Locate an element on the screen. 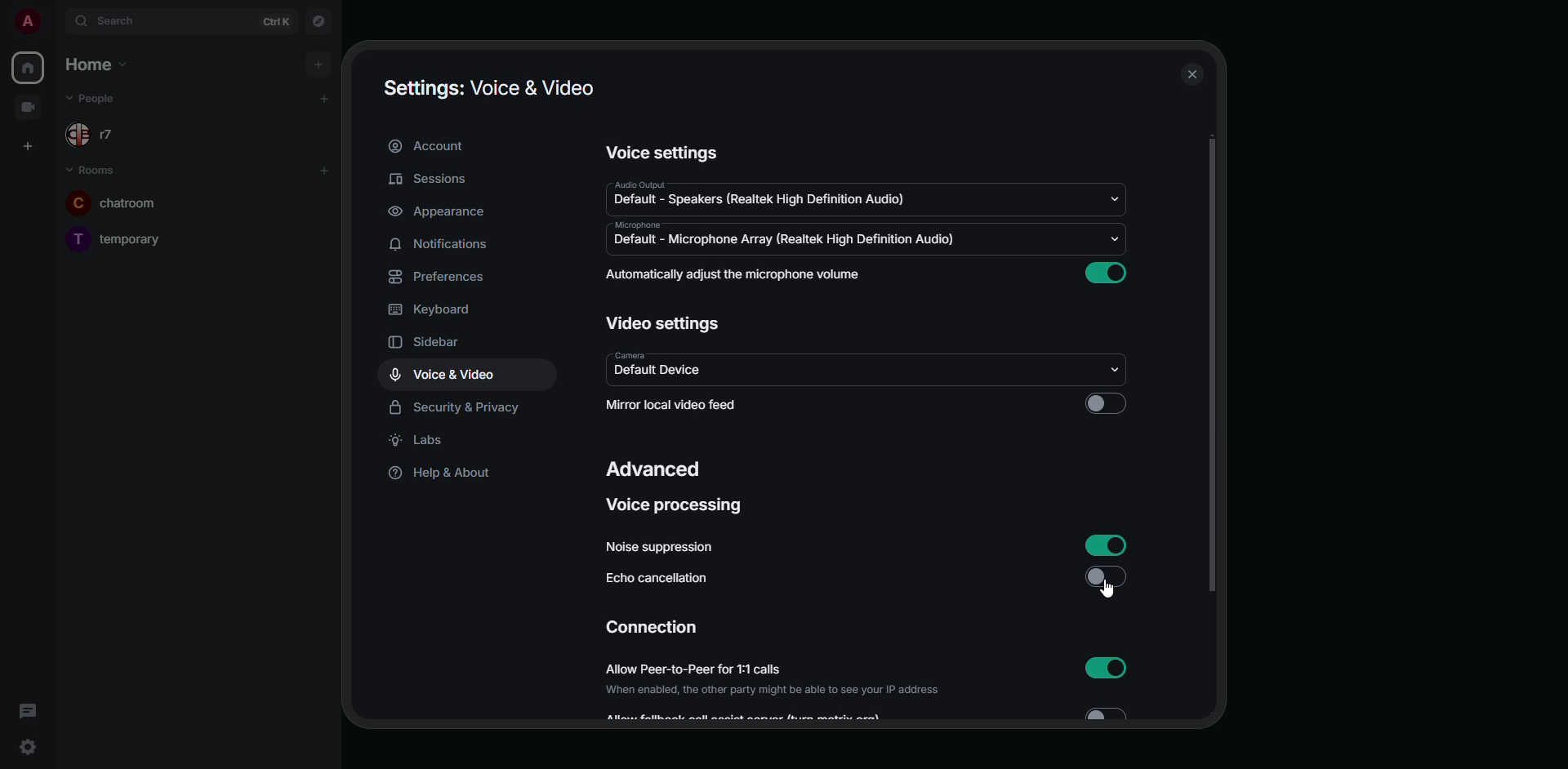  home is located at coordinates (28, 68).